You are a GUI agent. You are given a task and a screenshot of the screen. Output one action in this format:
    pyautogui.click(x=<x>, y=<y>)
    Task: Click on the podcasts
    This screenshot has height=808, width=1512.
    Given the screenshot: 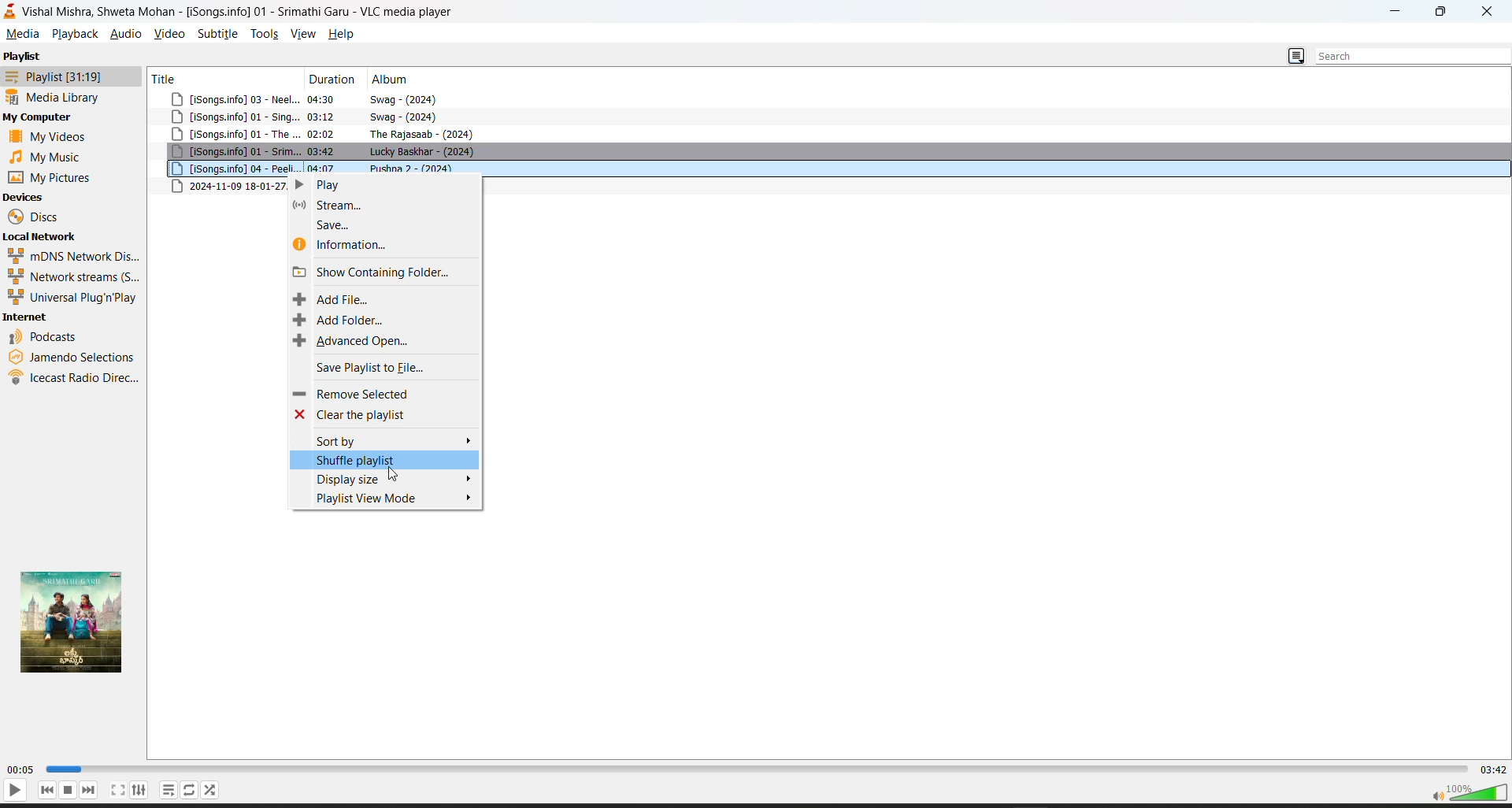 What is the action you would take?
    pyautogui.click(x=55, y=337)
    